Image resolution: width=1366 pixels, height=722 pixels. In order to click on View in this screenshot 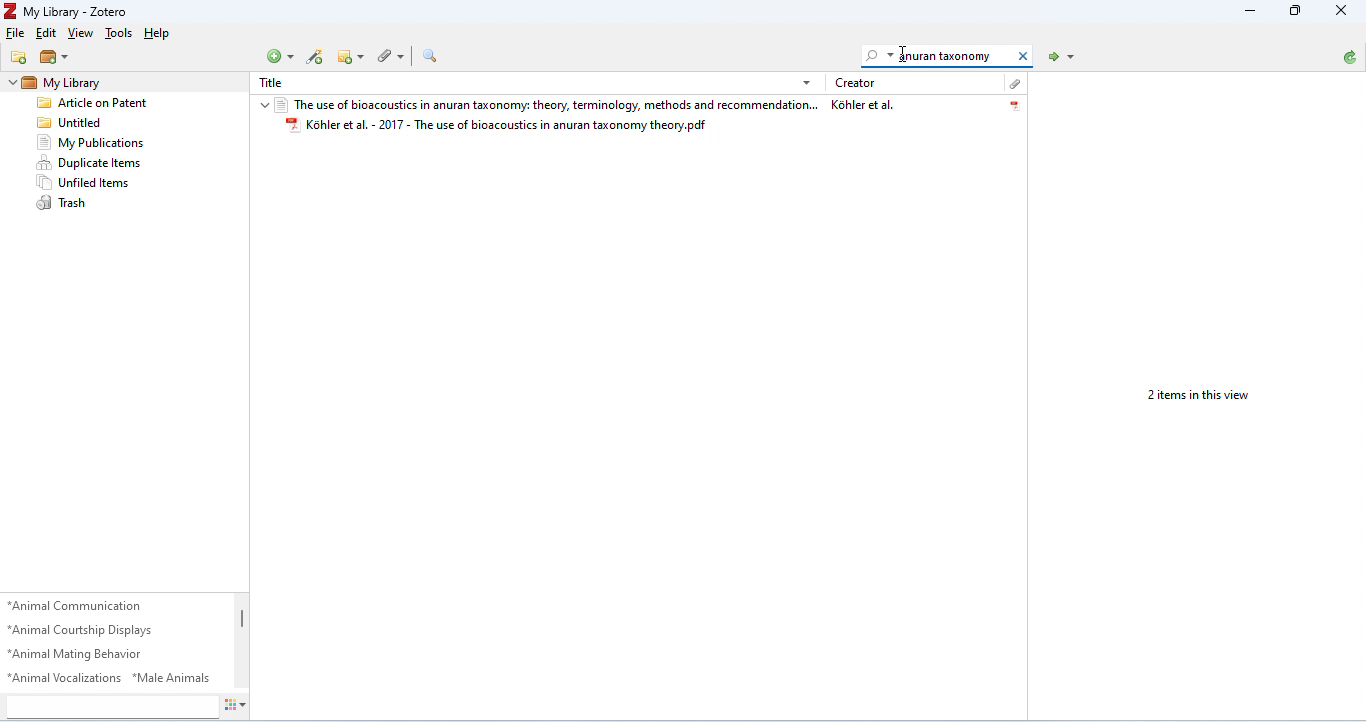, I will do `click(83, 32)`.